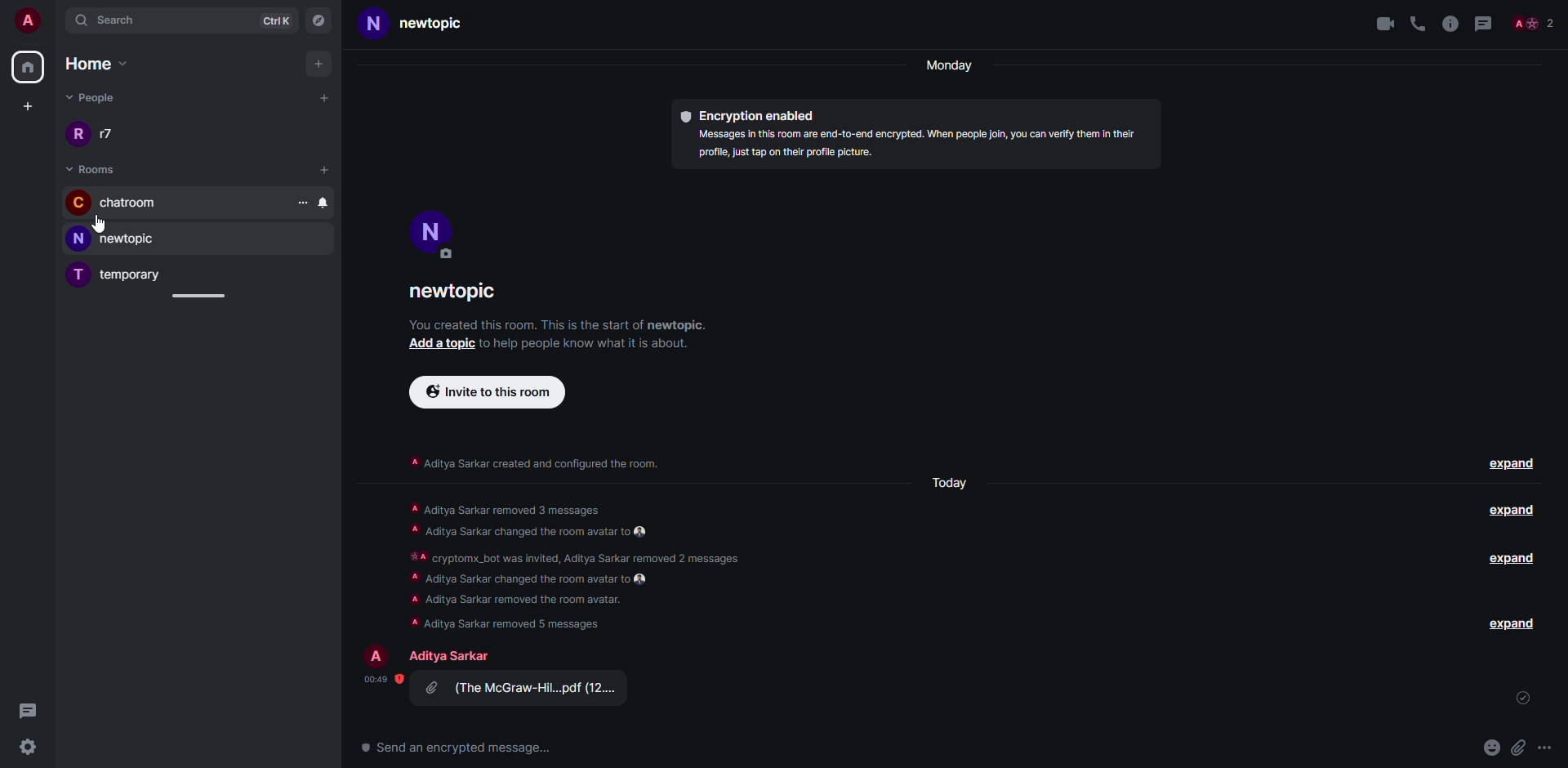 The height and width of the screenshot is (768, 1568). Describe the element at coordinates (952, 482) in the screenshot. I see `today` at that location.